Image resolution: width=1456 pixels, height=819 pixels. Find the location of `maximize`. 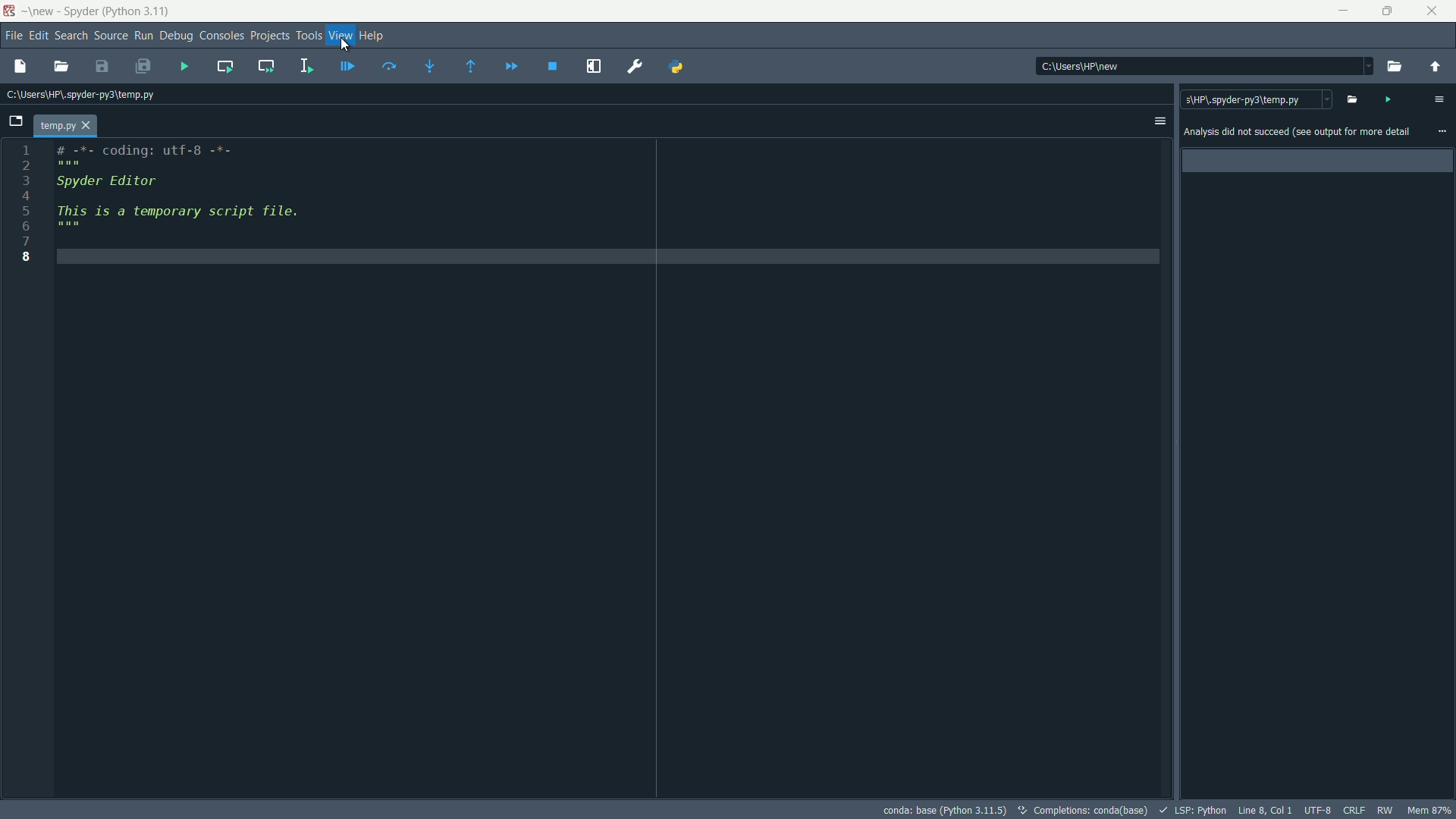

maximize is located at coordinates (1389, 11).